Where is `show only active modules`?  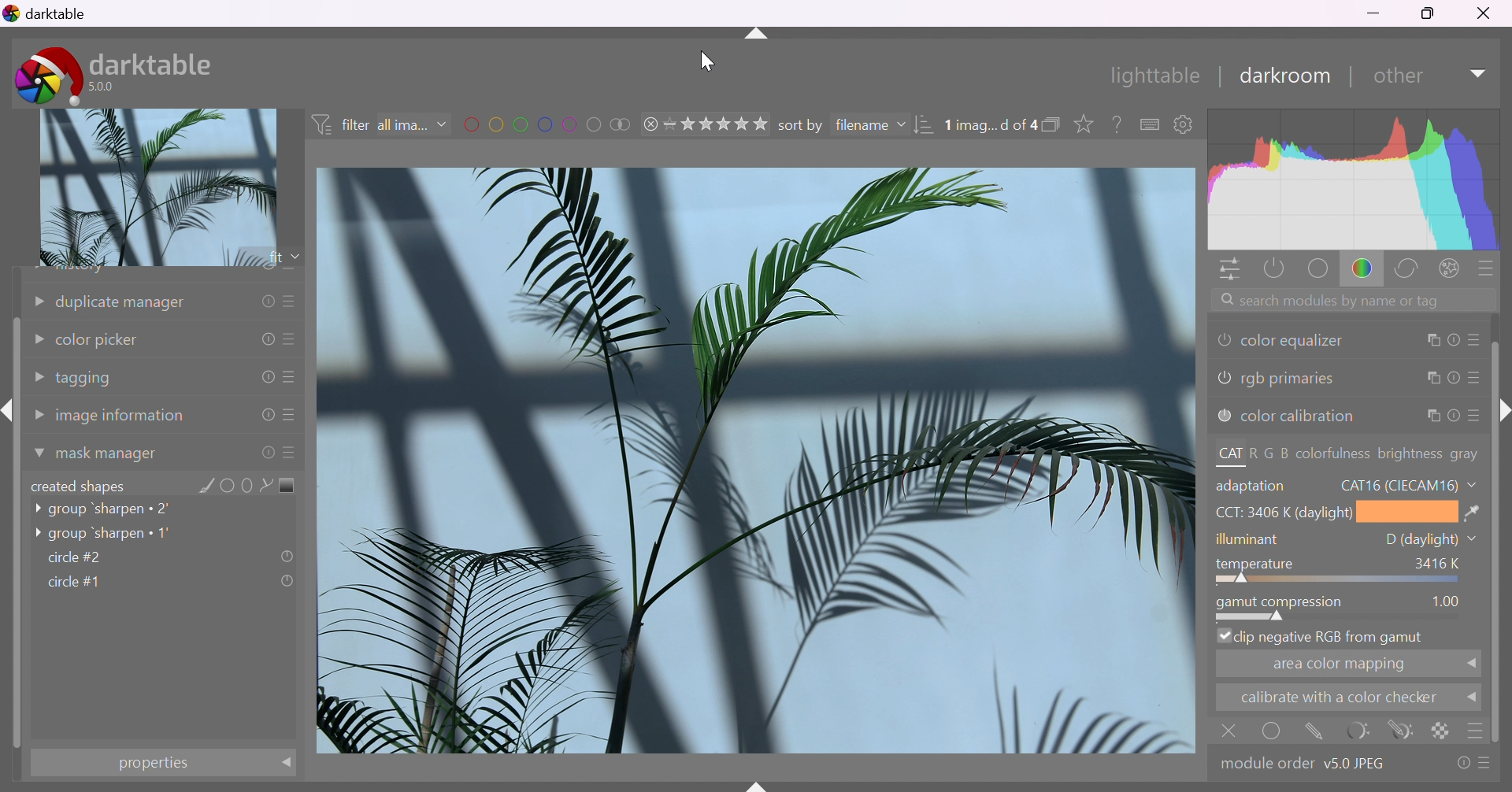
show only active modules is located at coordinates (1274, 268).